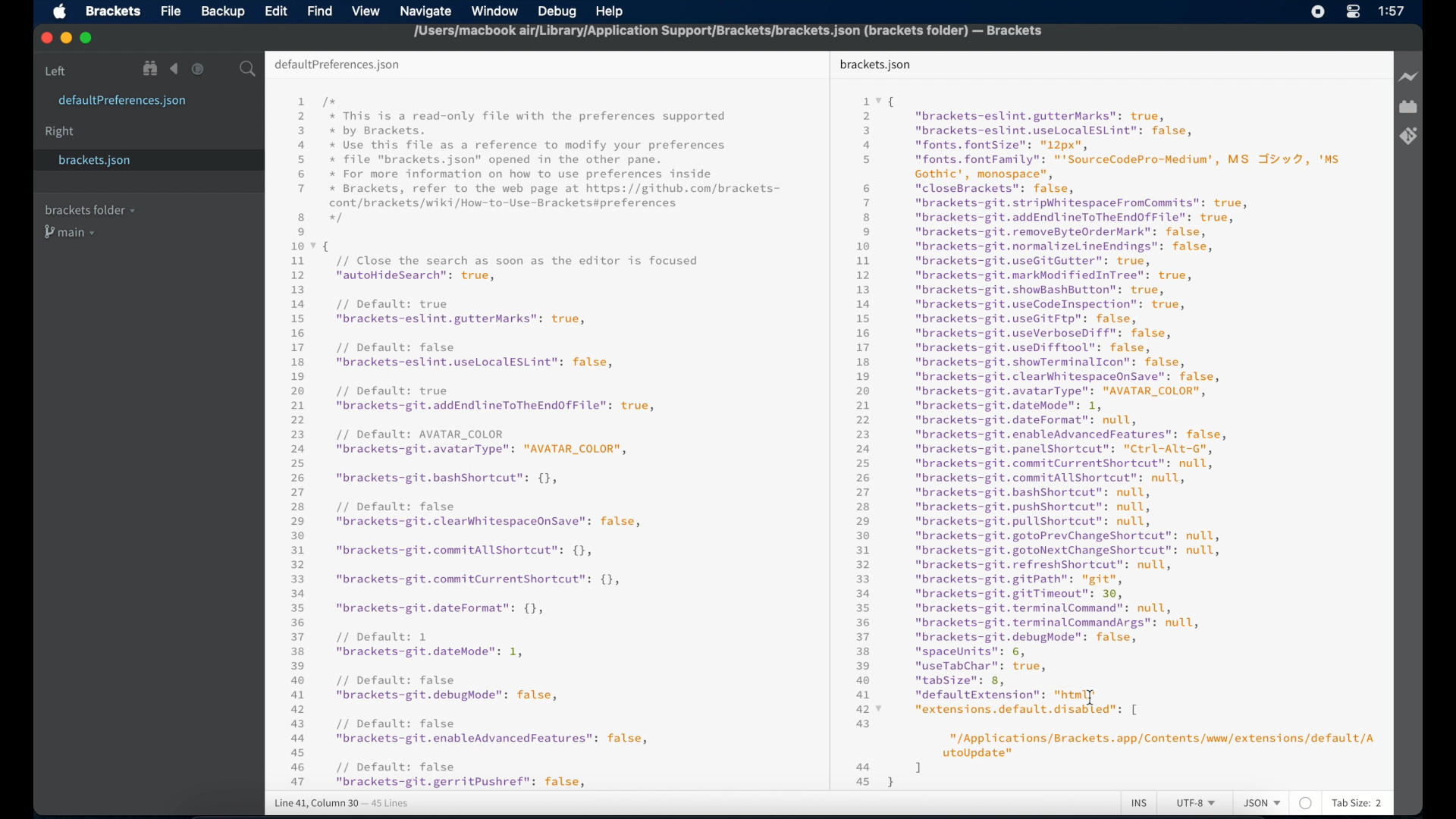 The image size is (1456, 819). What do you see at coordinates (875, 64) in the screenshot?
I see `brackets json` at bounding box center [875, 64].